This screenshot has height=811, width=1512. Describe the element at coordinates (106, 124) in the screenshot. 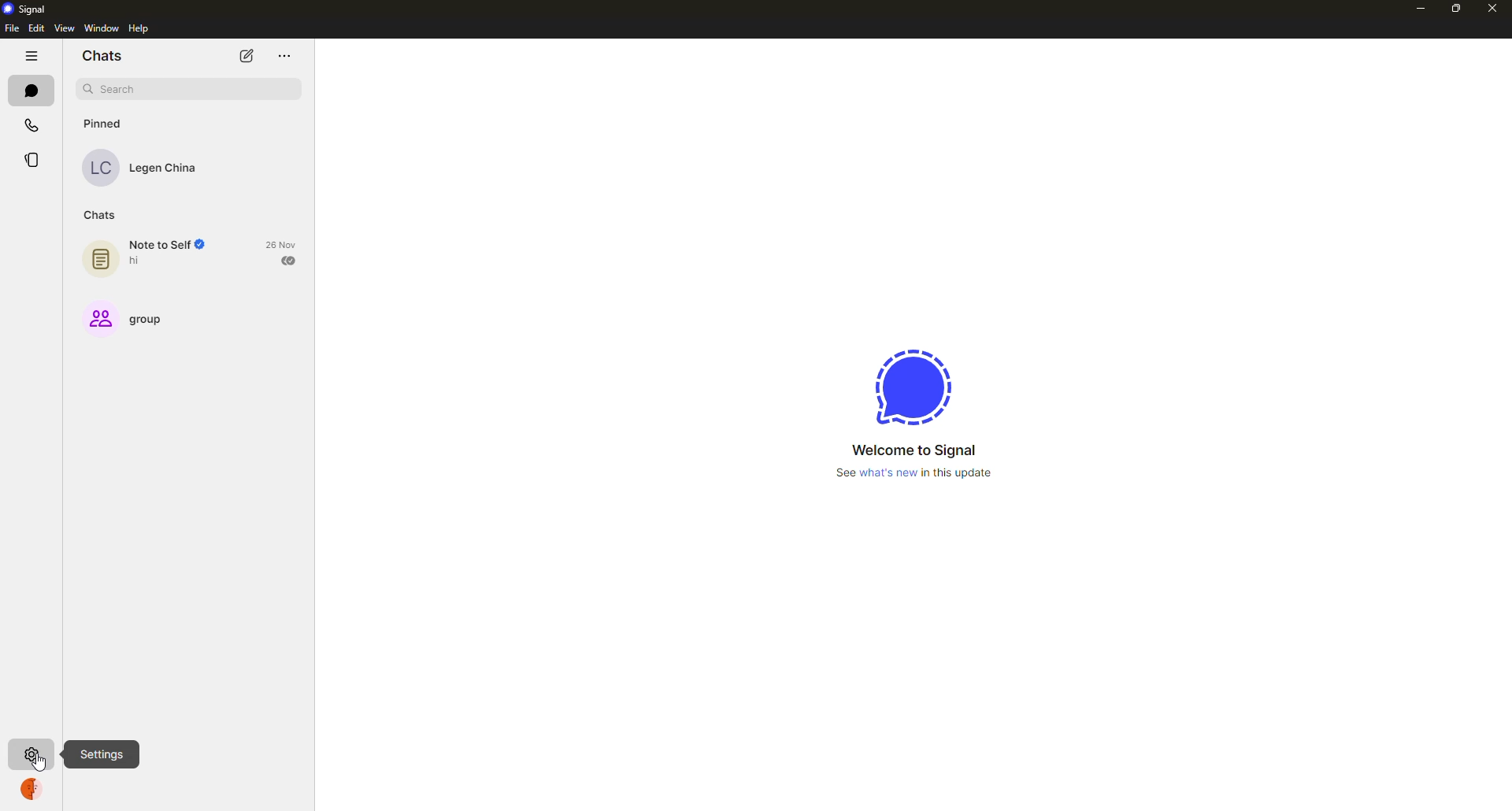

I see `pinned` at that location.